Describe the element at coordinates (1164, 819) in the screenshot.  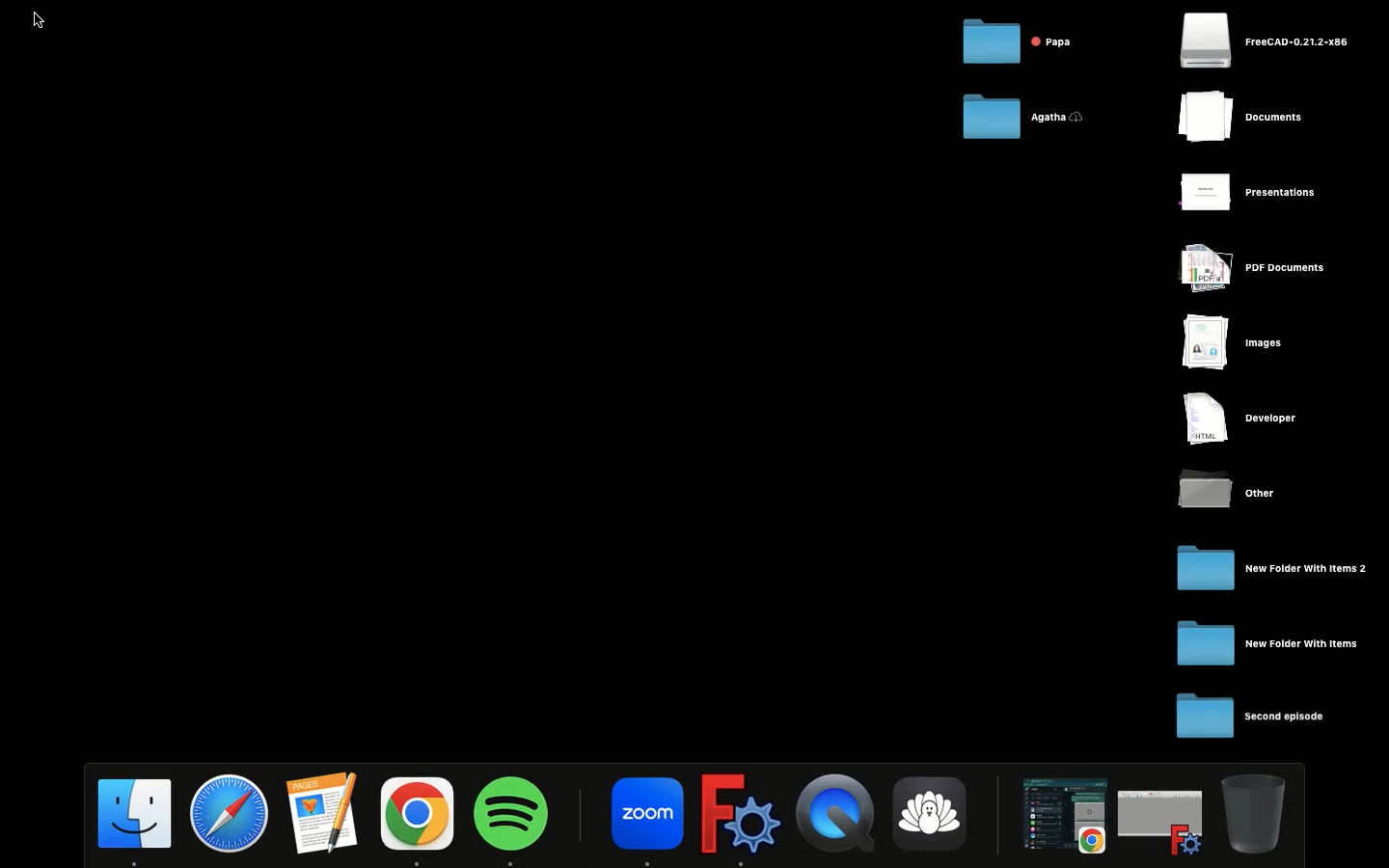
I see `Chrome tab` at that location.